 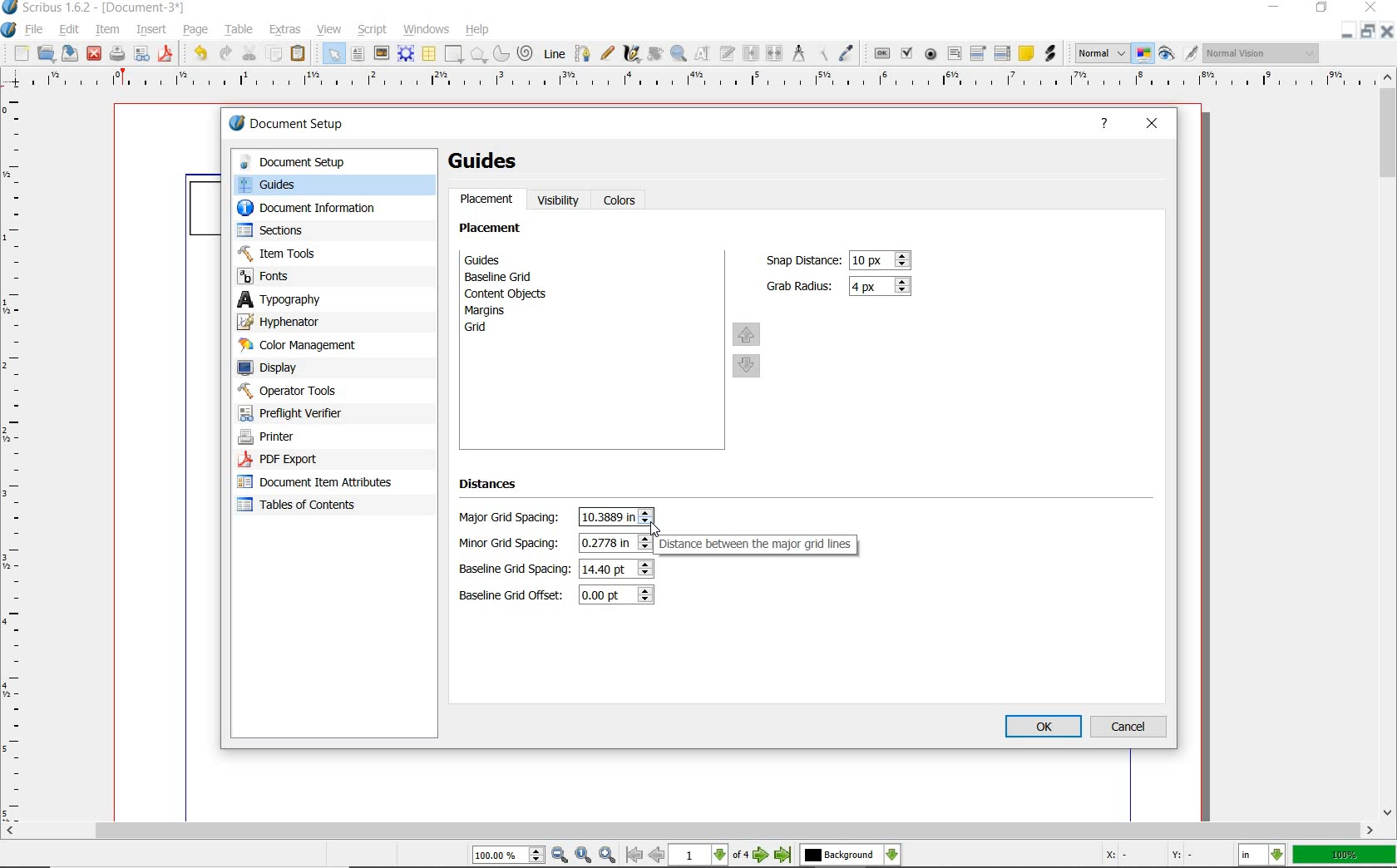 I want to click on go to last page, so click(x=783, y=856).